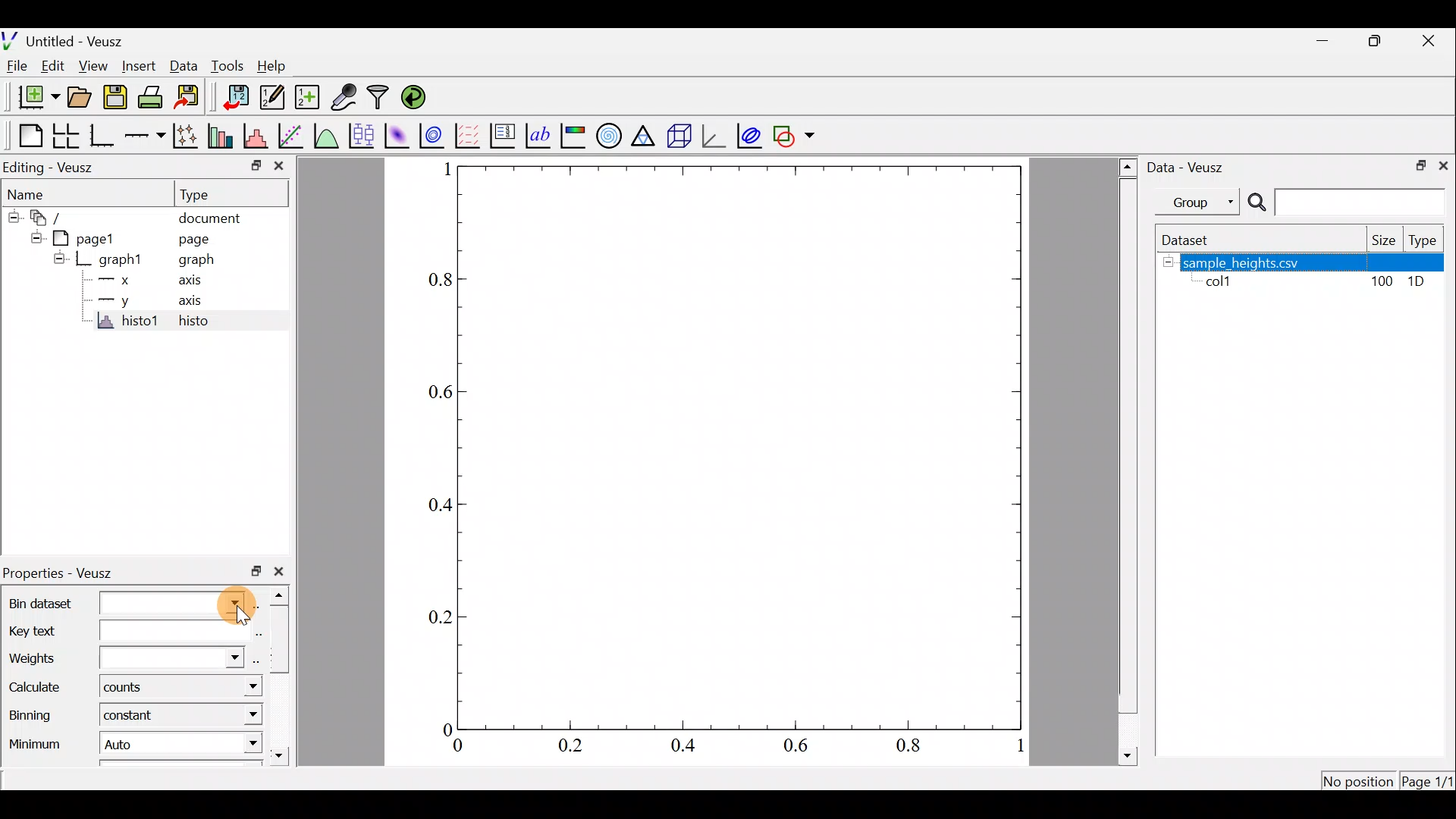  I want to click on histogram of a dataset, so click(255, 134).